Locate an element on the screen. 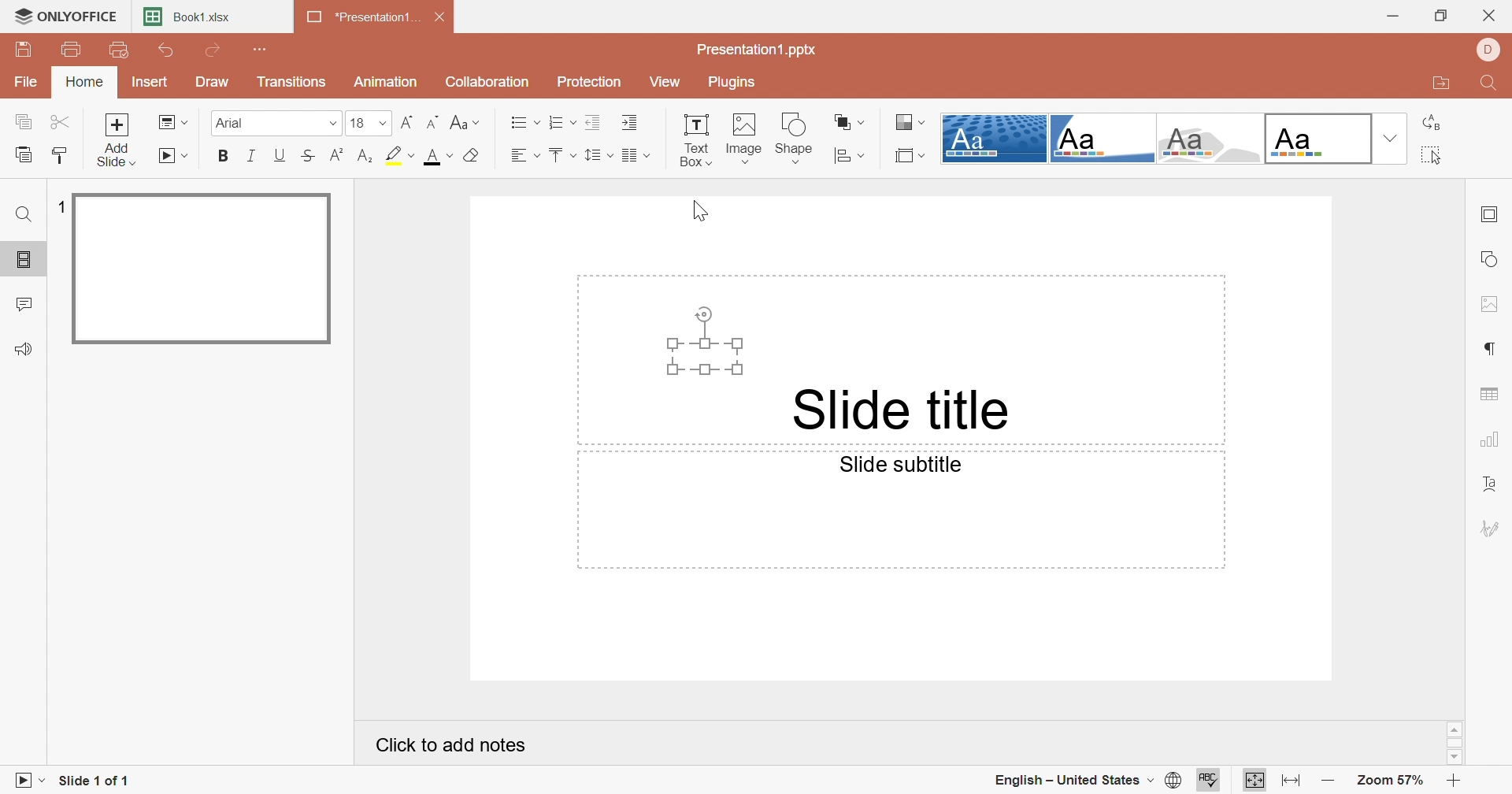 The height and width of the screenshot is (794, 1512). Save is located at coordinates (22, 50).